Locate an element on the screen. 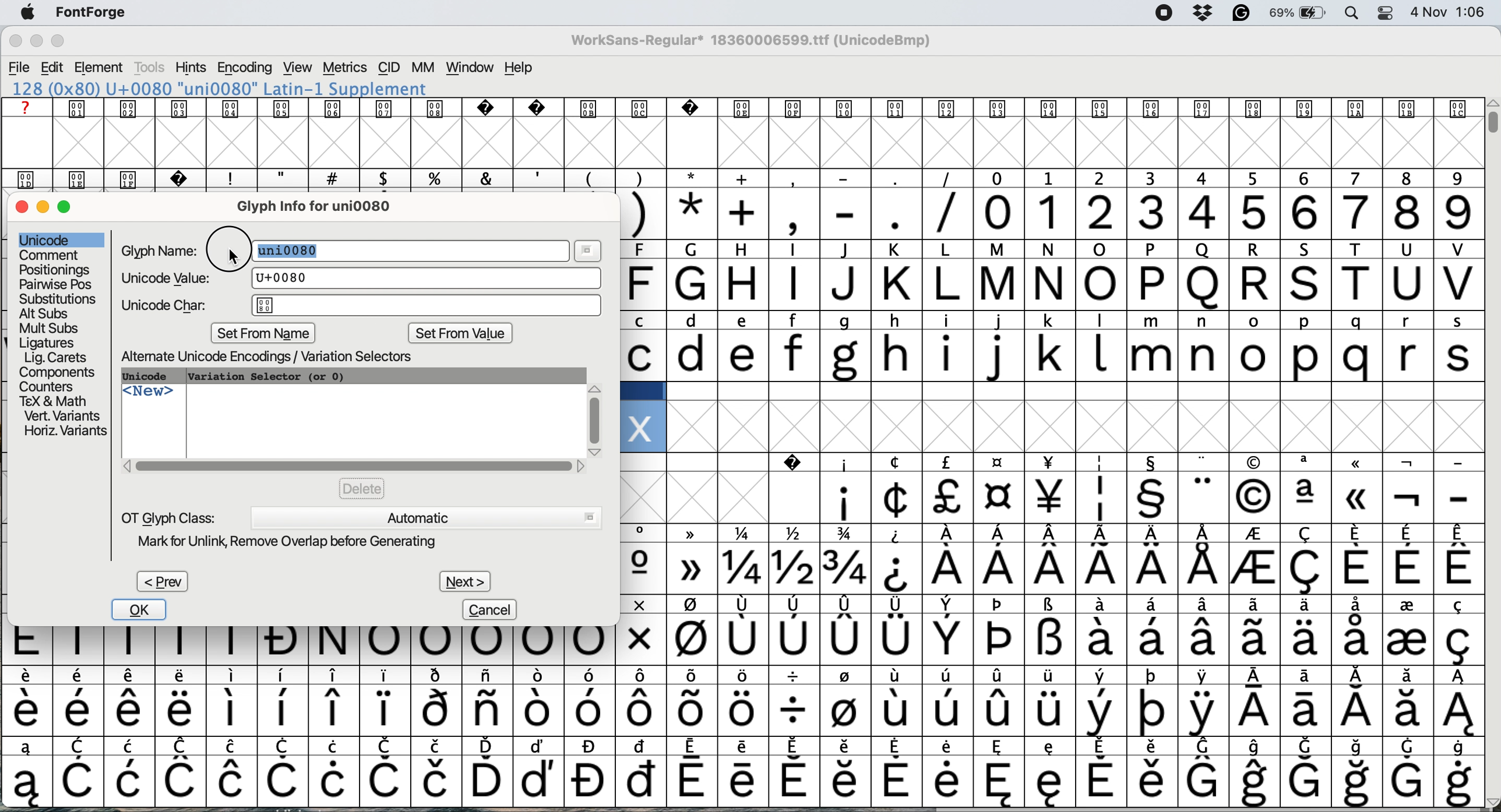  battery is located at coordinates (1298, 13).